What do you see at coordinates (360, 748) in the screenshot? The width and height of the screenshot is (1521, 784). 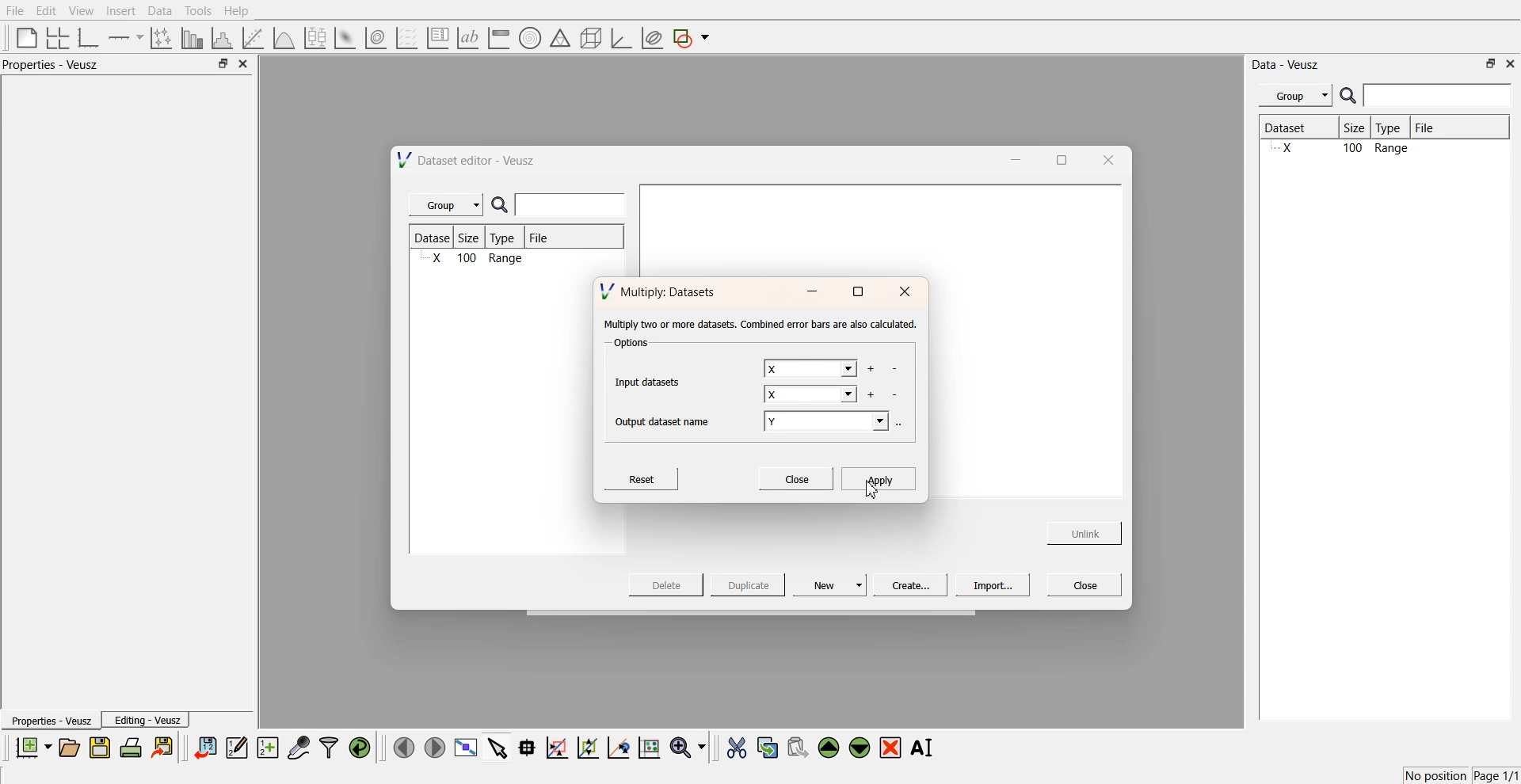 I see `reload the data points` at bounding box center [360, 748].